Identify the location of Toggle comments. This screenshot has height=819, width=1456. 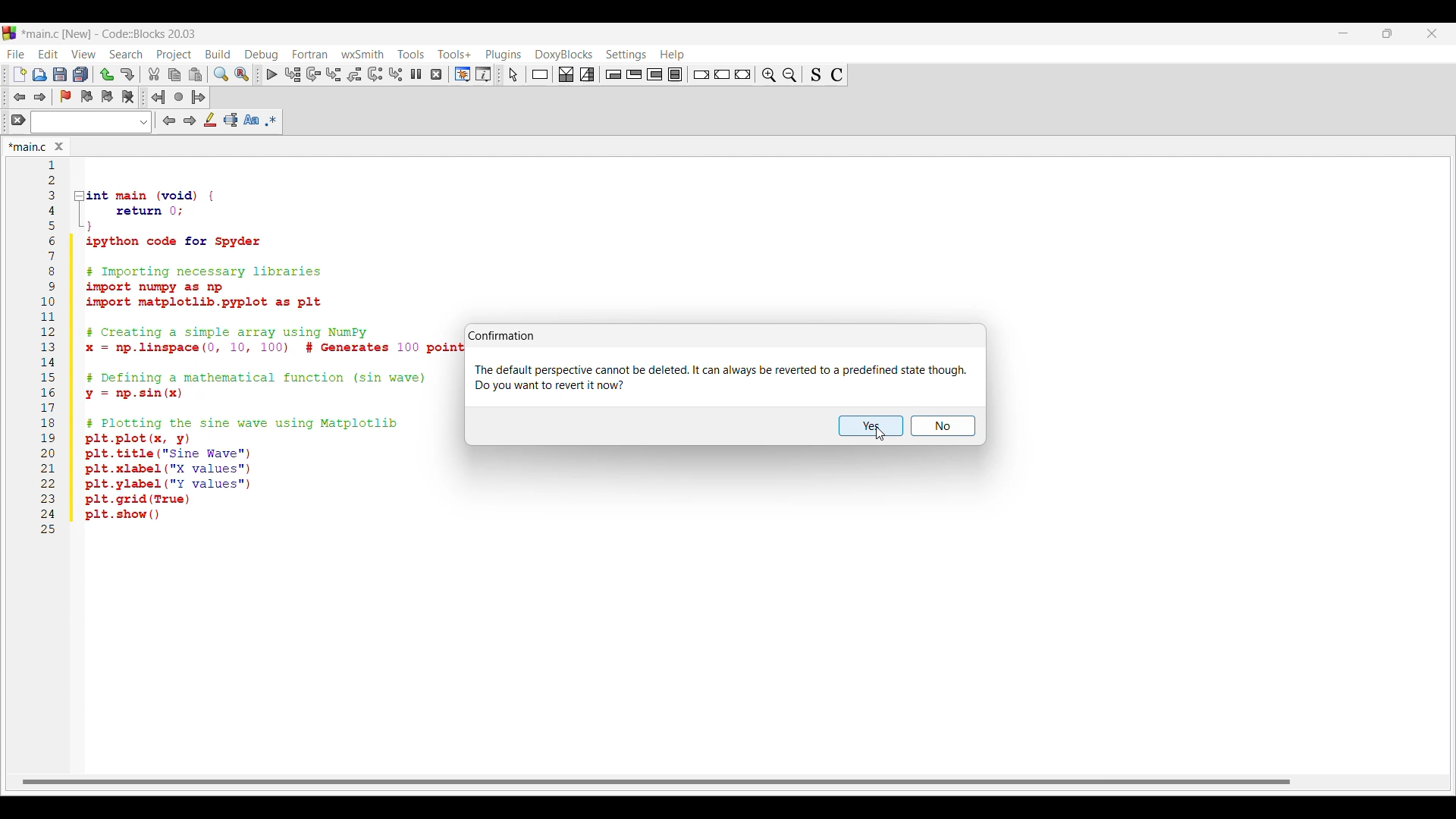
(837, 75).